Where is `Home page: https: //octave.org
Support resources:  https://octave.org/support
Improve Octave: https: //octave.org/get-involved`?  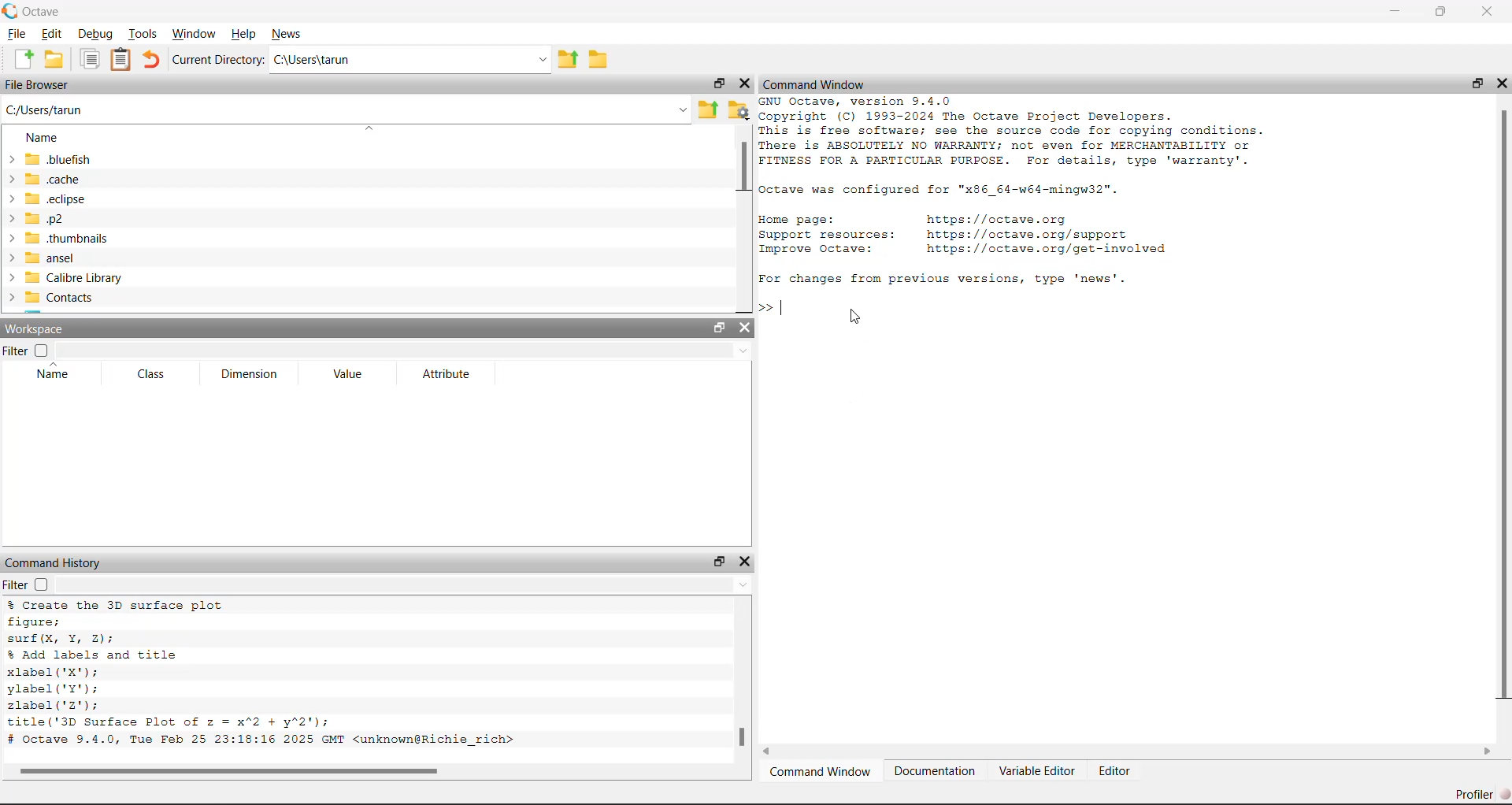
Home page: https: //octave.org
Support resources:  https://octave.org/support
Improve Octave: https: //octave.org/get-involved is located at coordinates (965, 234).